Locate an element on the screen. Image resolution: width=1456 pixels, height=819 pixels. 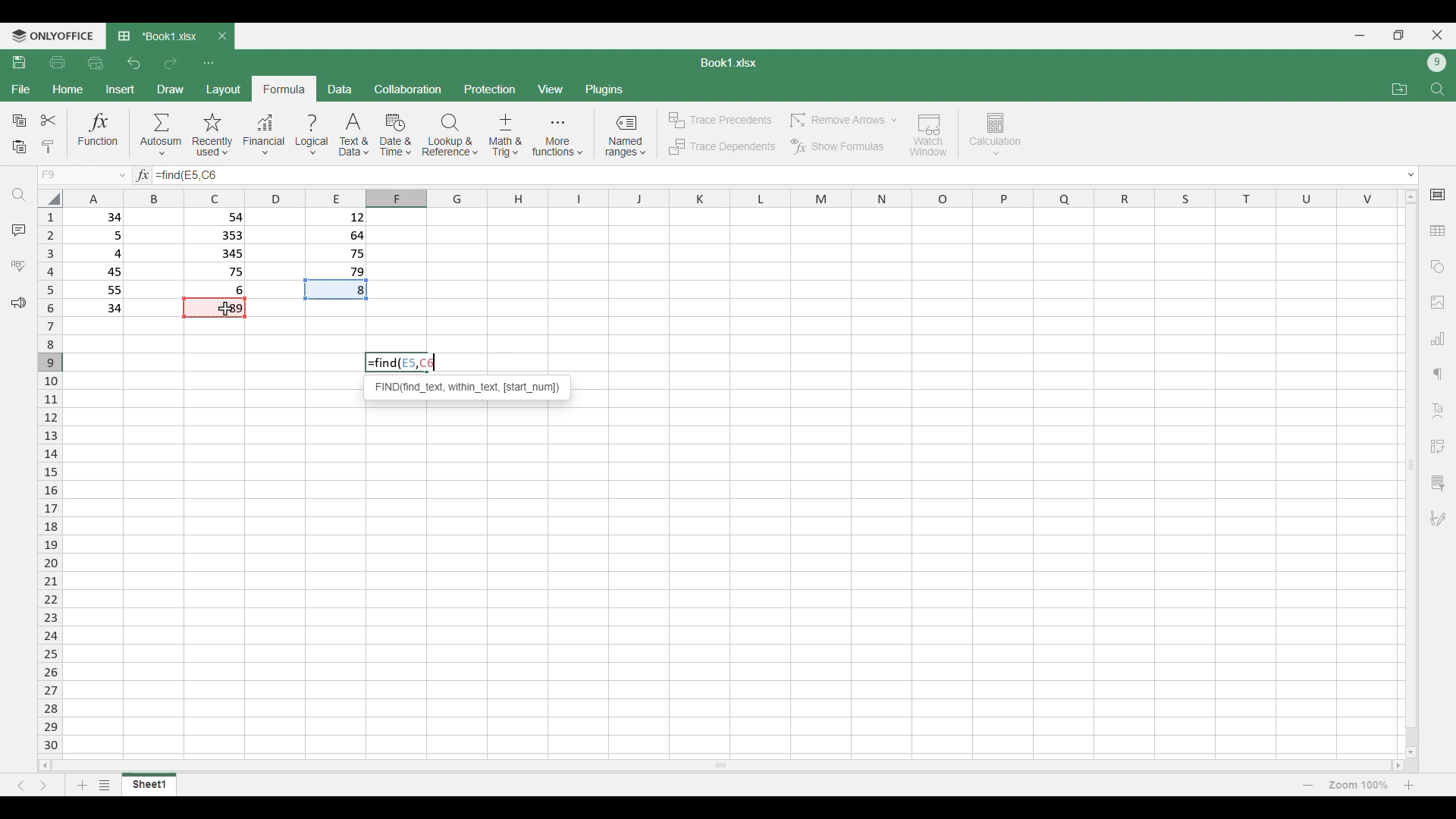
Data menu is located at coordinates (340, 89).